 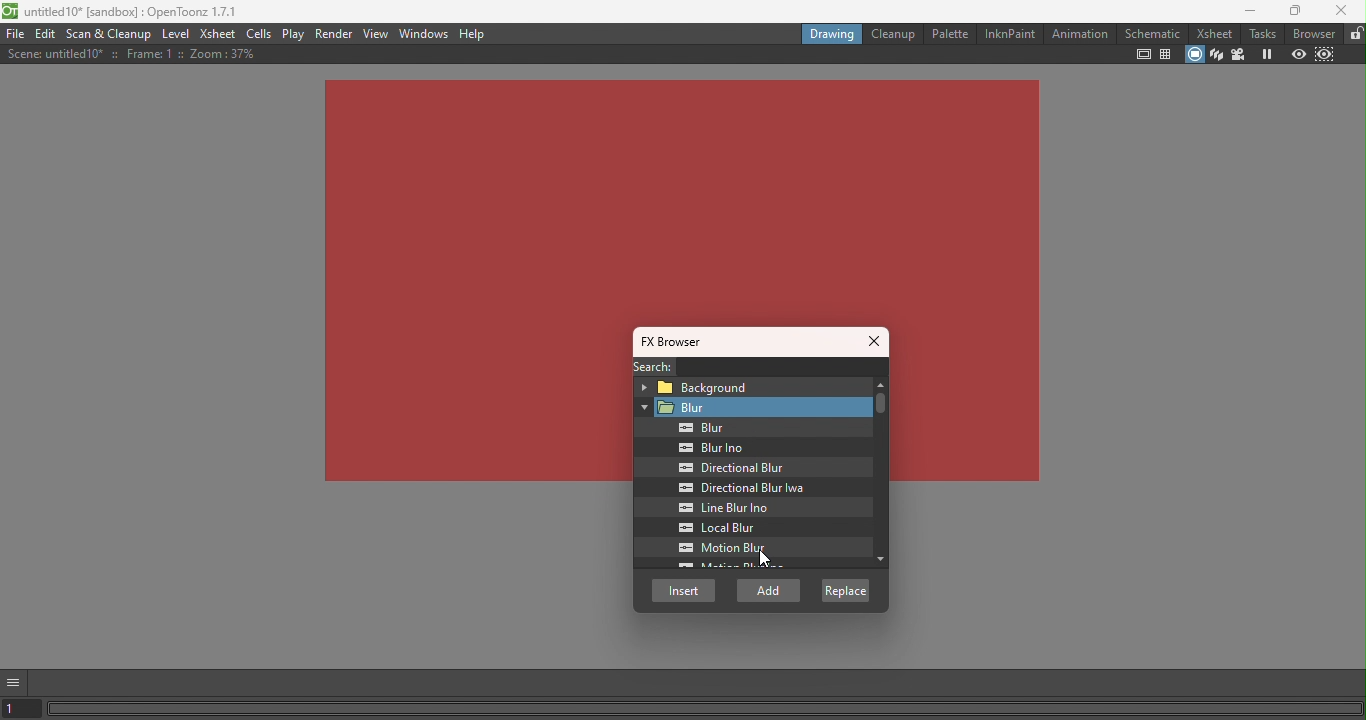 I want to click on Drawing, so click(x=831, y=33).